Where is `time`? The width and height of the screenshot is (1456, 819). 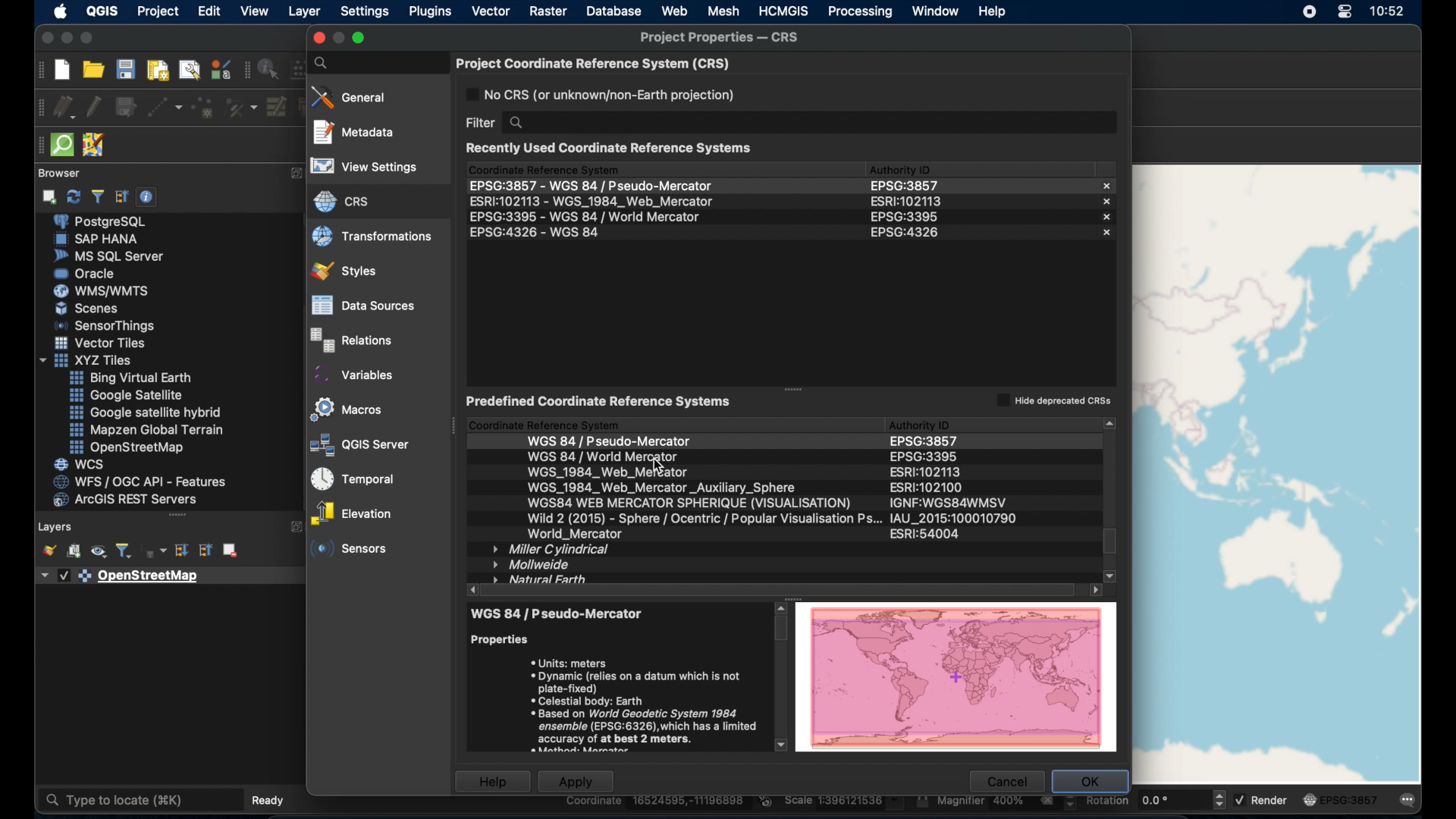 time is located at coordinates (1390, 11).